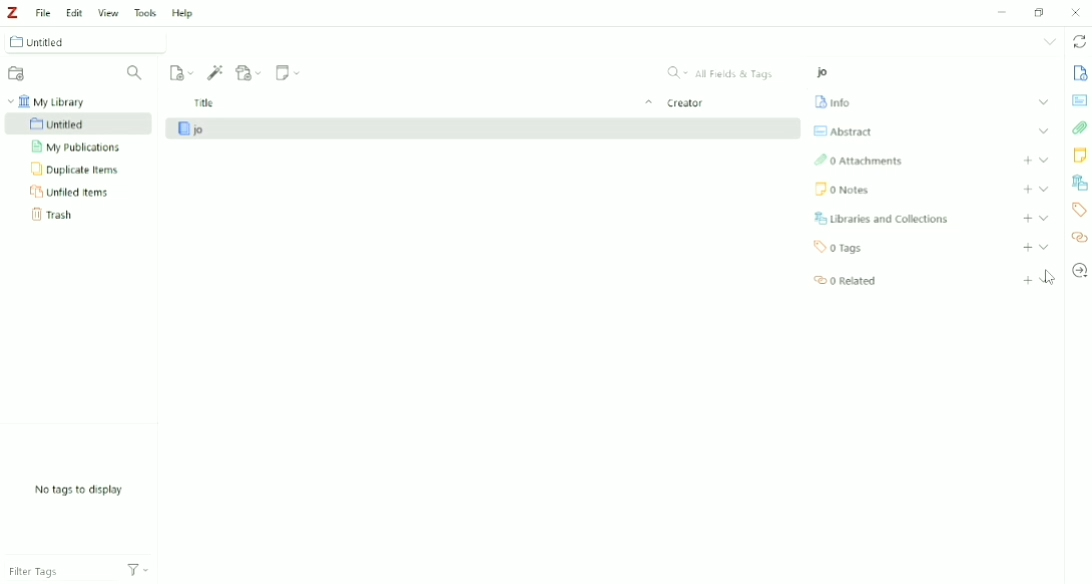 This screenshot has width=1092, height=584. Describe the element at coordinates (1045, 101) in the screenshot. I see `Expand section` at that location.